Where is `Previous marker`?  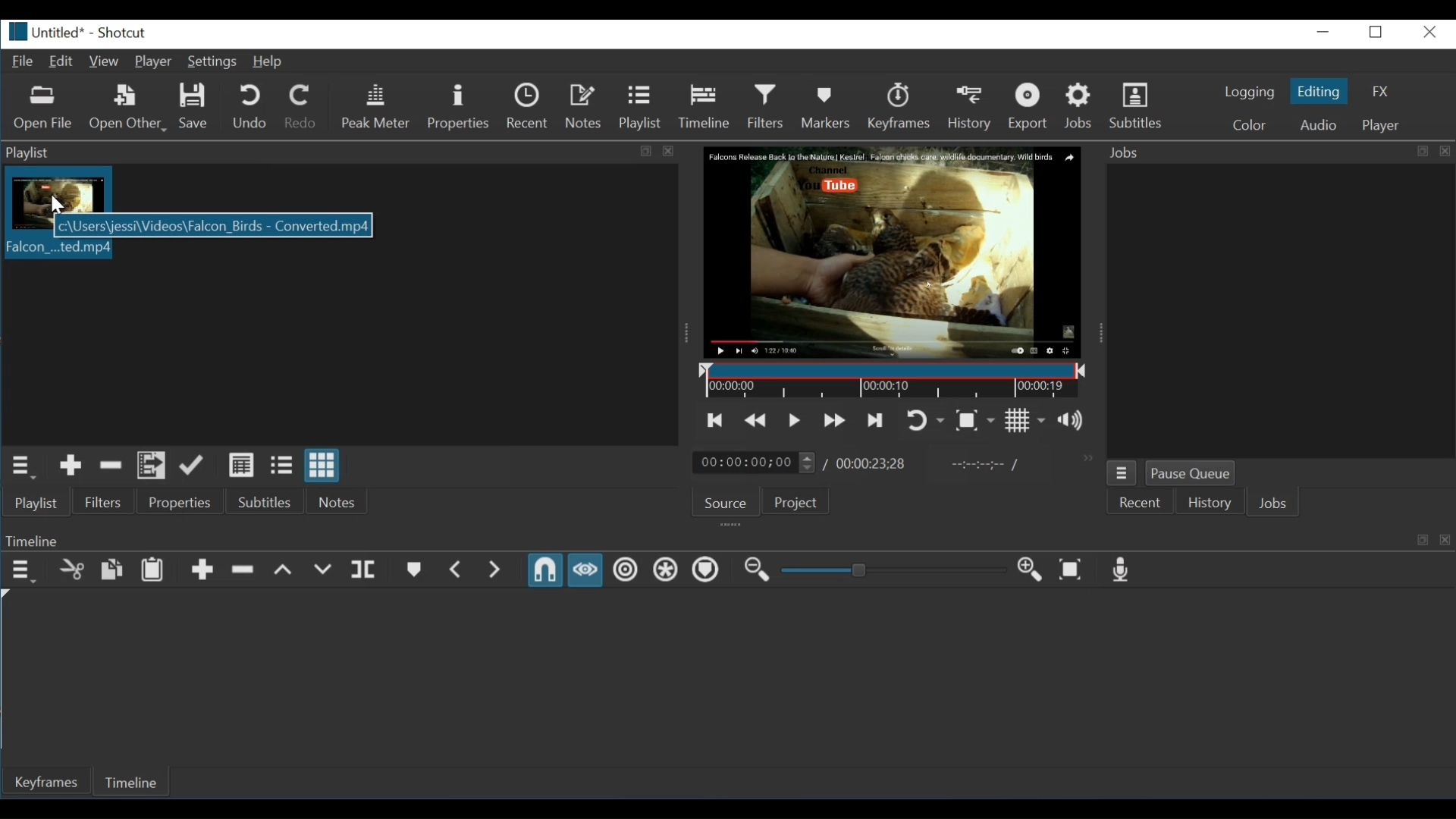 Previous marker is located at coordinates (458, 570).